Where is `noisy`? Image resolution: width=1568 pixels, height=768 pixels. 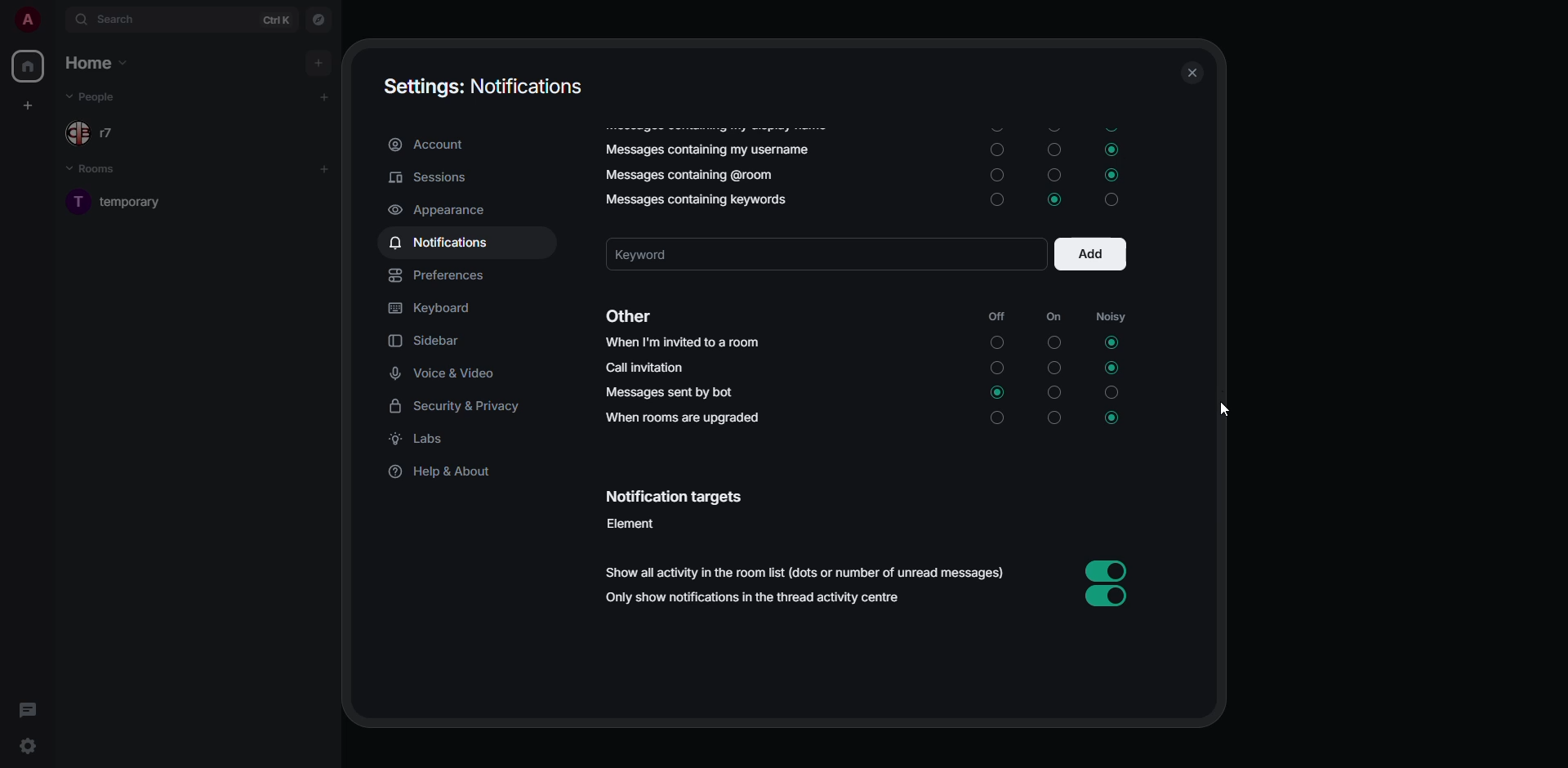 noisy is located at coordinates (1111, 317).